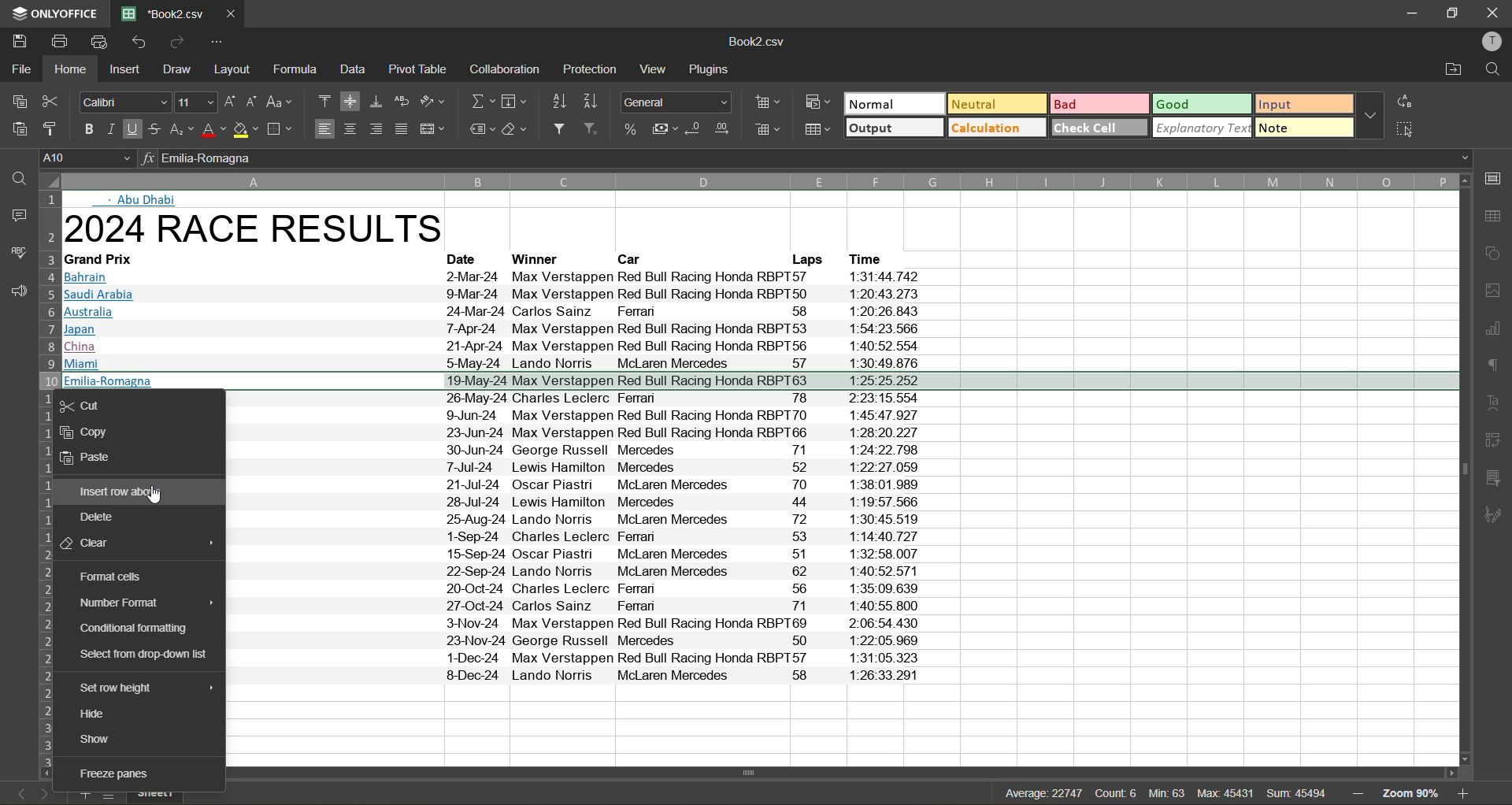 The height and width of the screenshot is (805, 1512). I want to click on orientation, so click(433, 103).